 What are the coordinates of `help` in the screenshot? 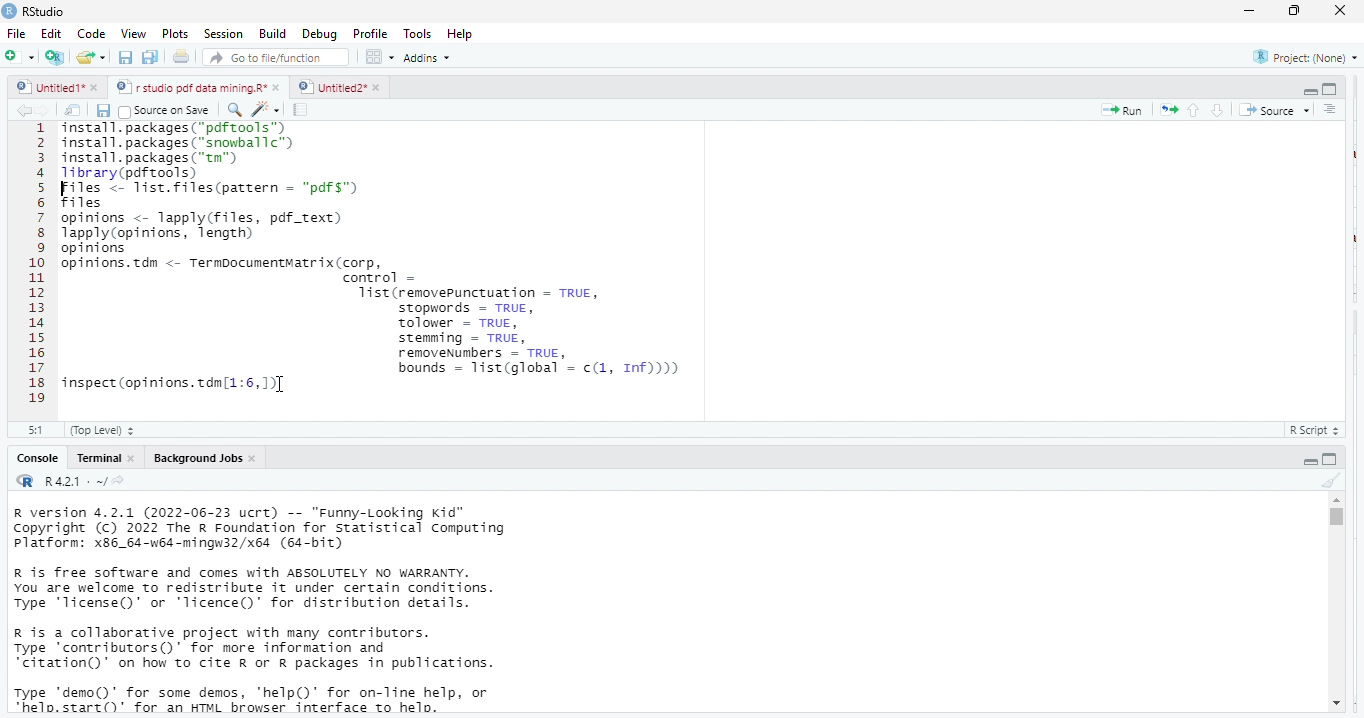 It's located at (467, 33).